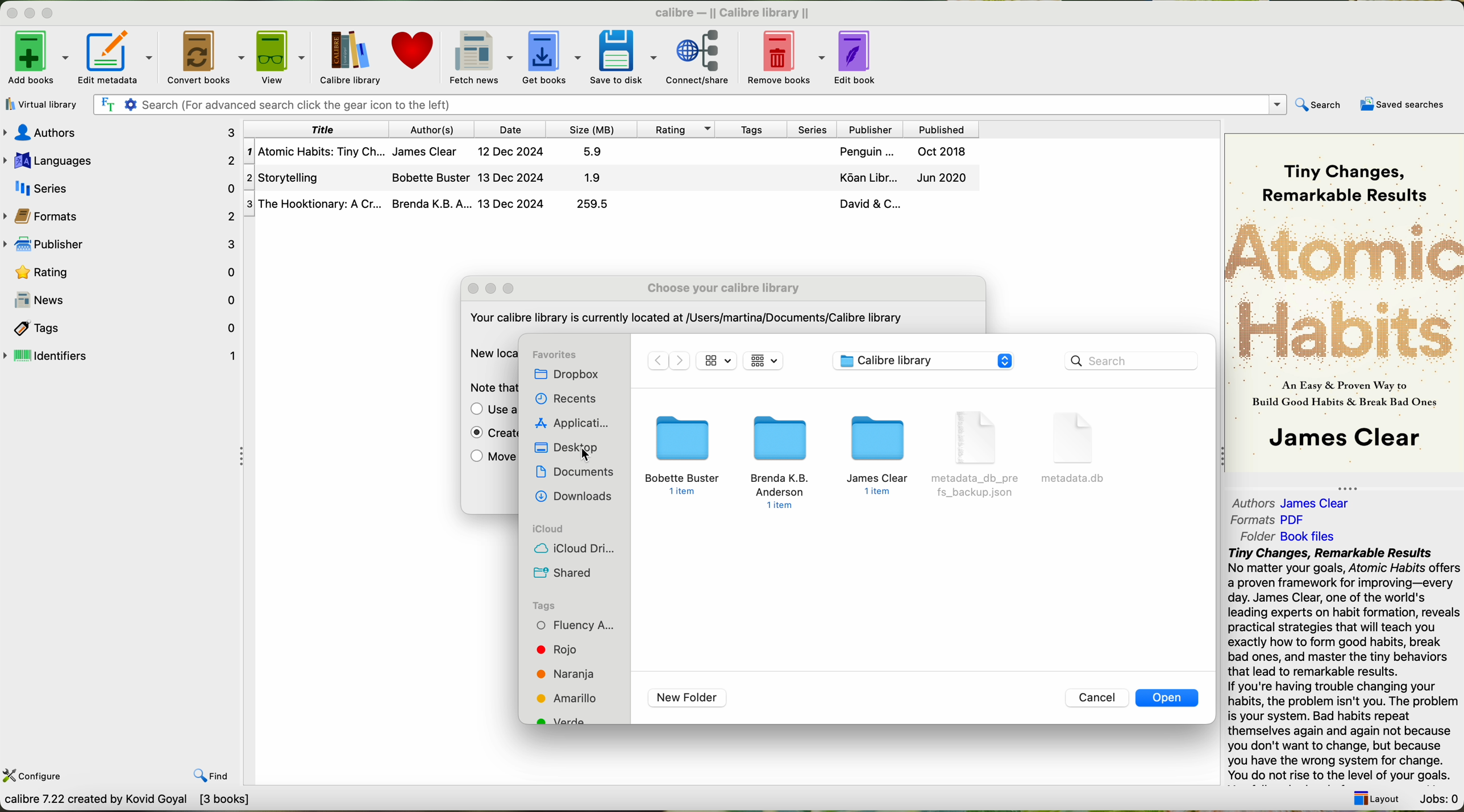 This screenshot has width=1464, height=812. I want to click on favorites, so click(555, 355).